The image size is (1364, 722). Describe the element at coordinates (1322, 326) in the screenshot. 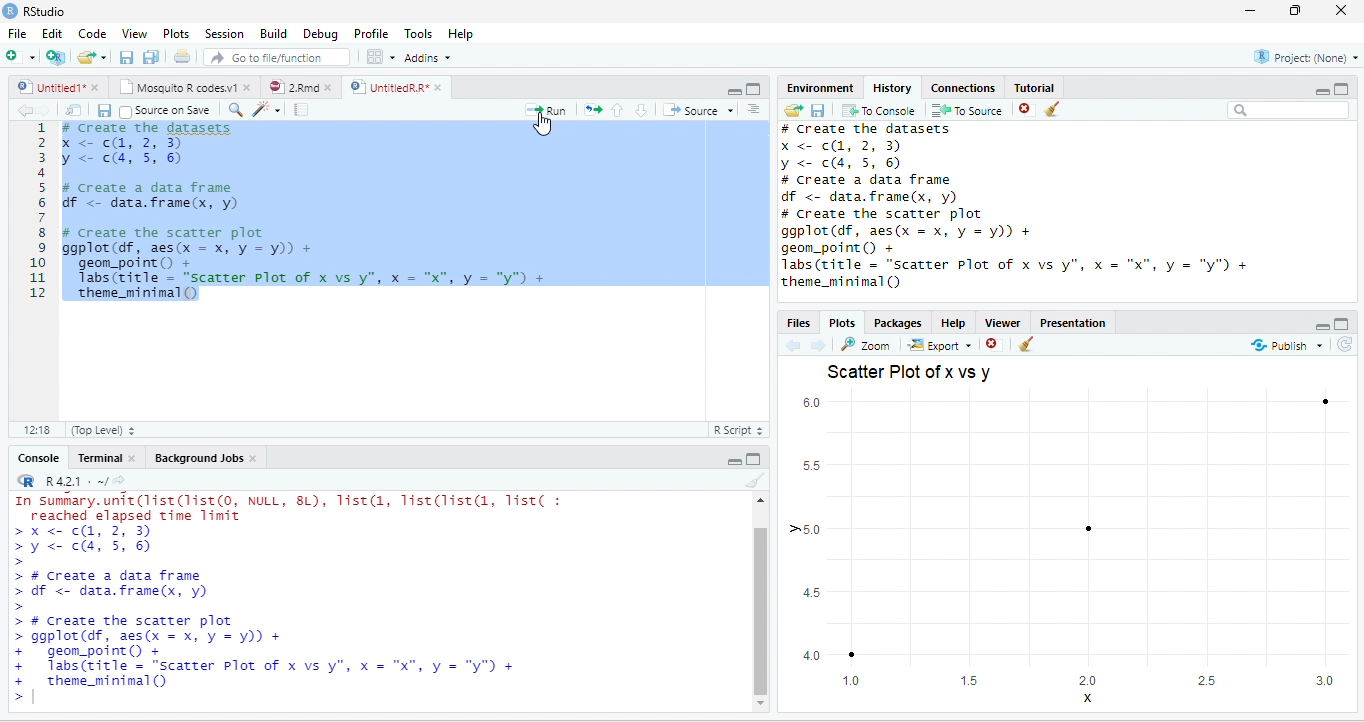

I see `Minimize` at that location.